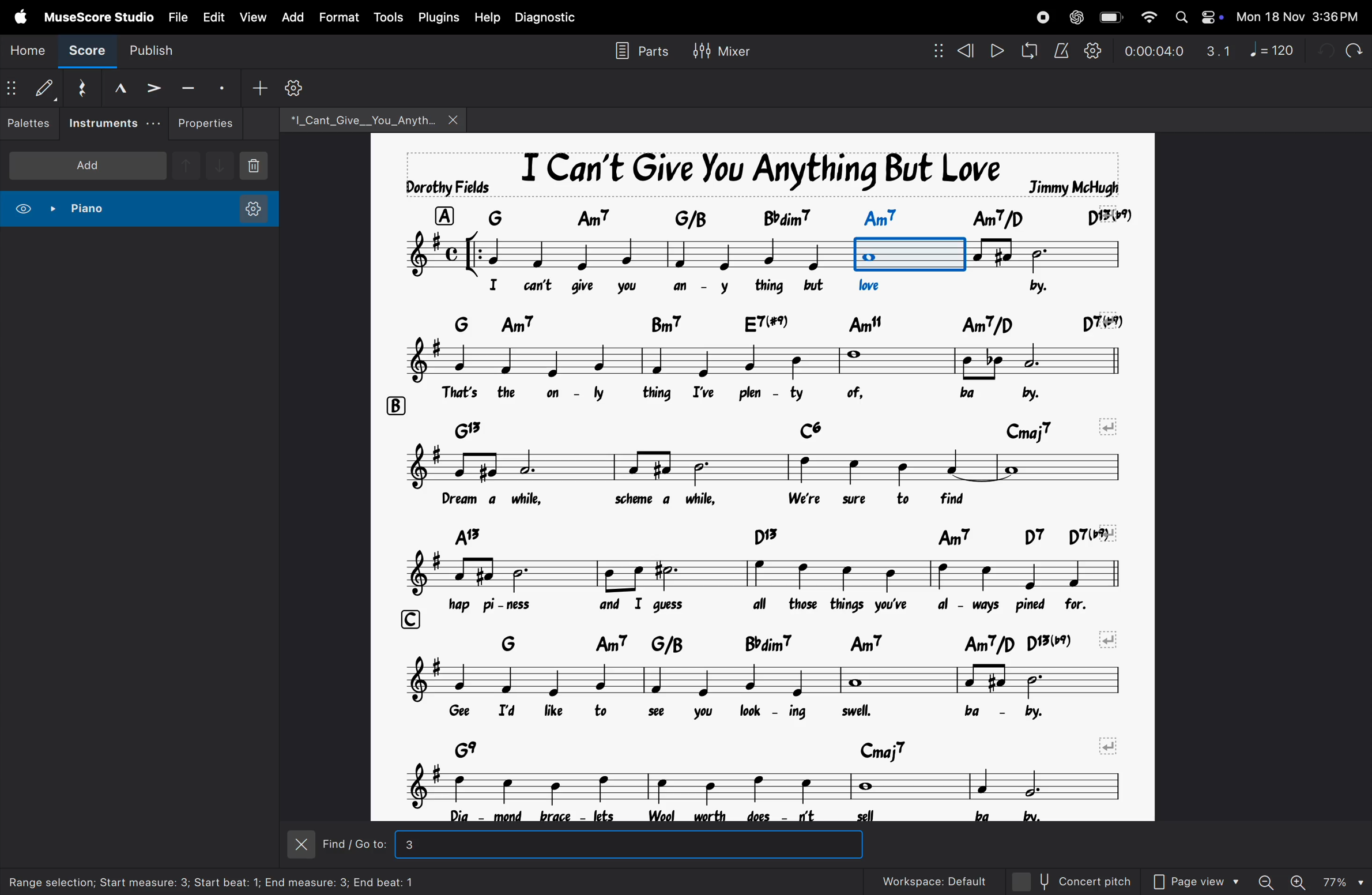  Describe the element at coordinates (59, 210) in the screenshot. I see `piano` at that location.